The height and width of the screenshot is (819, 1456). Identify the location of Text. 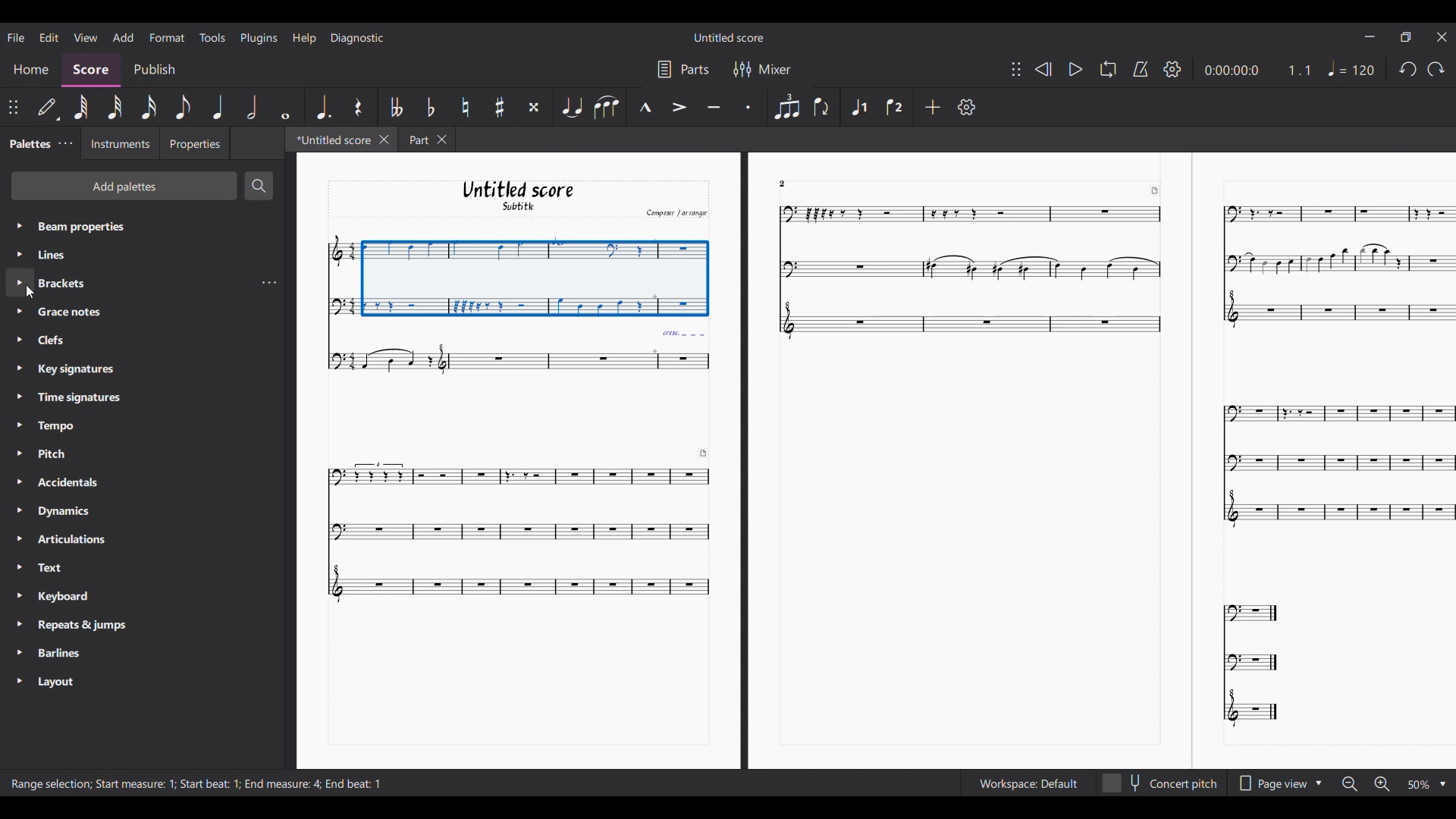
(71, 567).